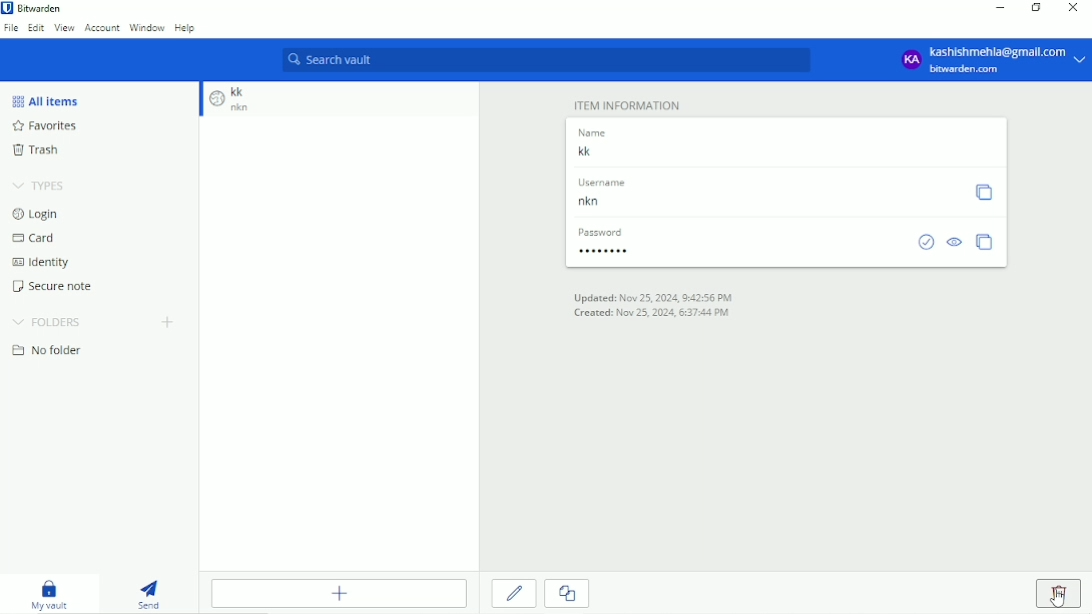 The width and height of the screenshot is (1092, 614). What do you see at coordinates (1057, 600) in the screenshot?
I see `cursor` at bounding box center [1057, 600].